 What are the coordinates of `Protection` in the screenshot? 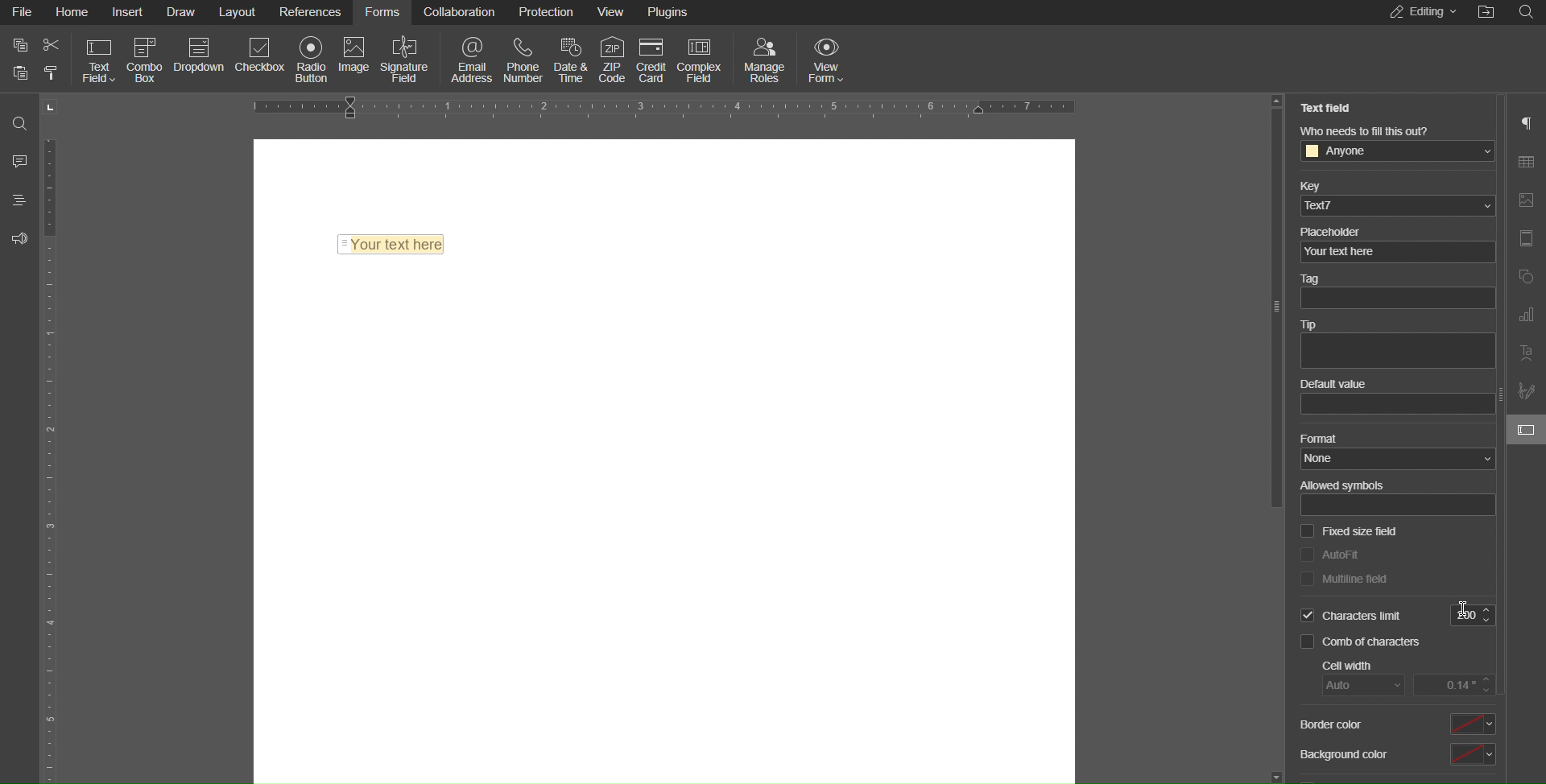 It's located at (544, 10).